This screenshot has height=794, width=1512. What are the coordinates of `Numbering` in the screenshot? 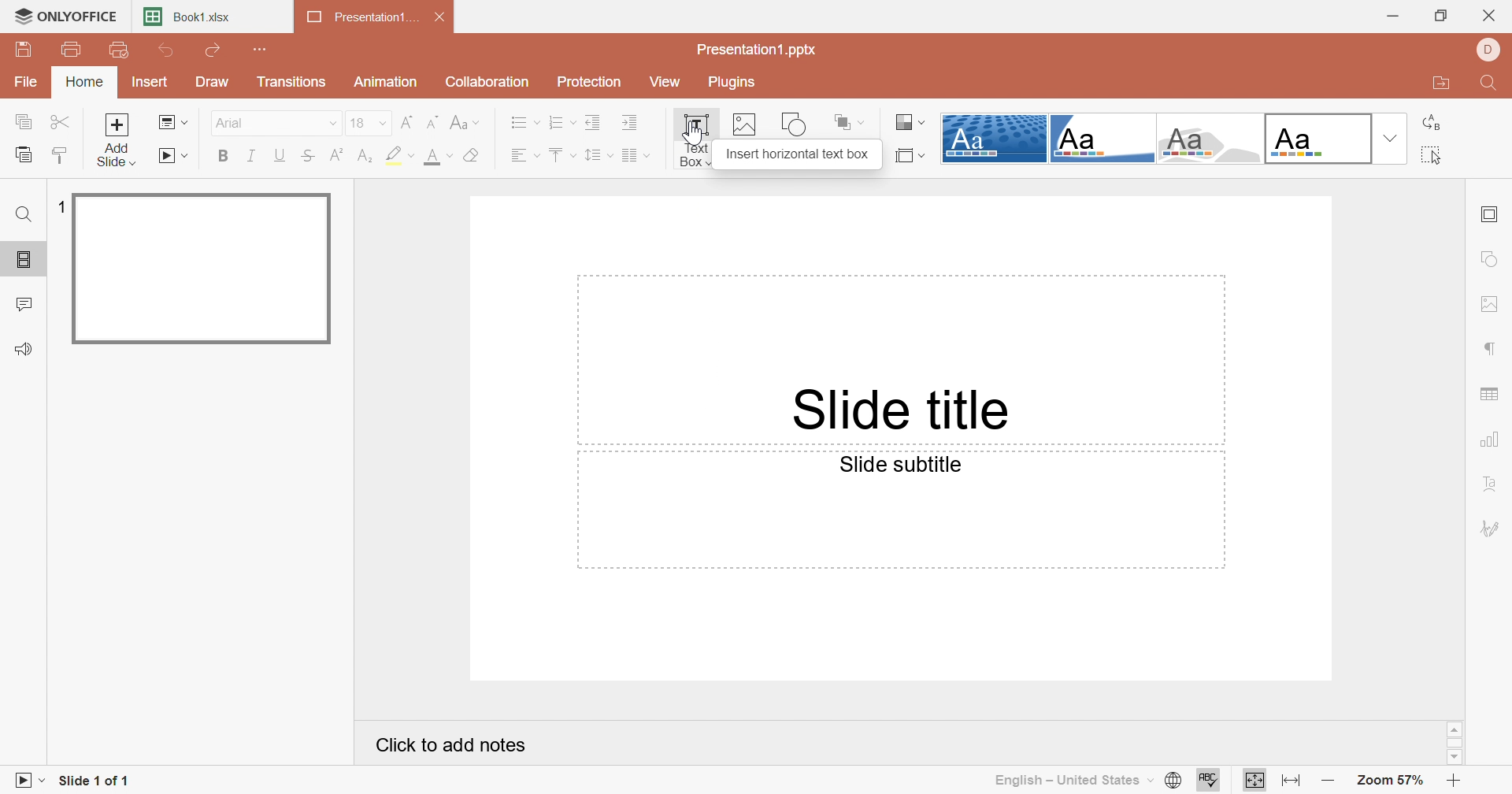 It's located at (561, 124).